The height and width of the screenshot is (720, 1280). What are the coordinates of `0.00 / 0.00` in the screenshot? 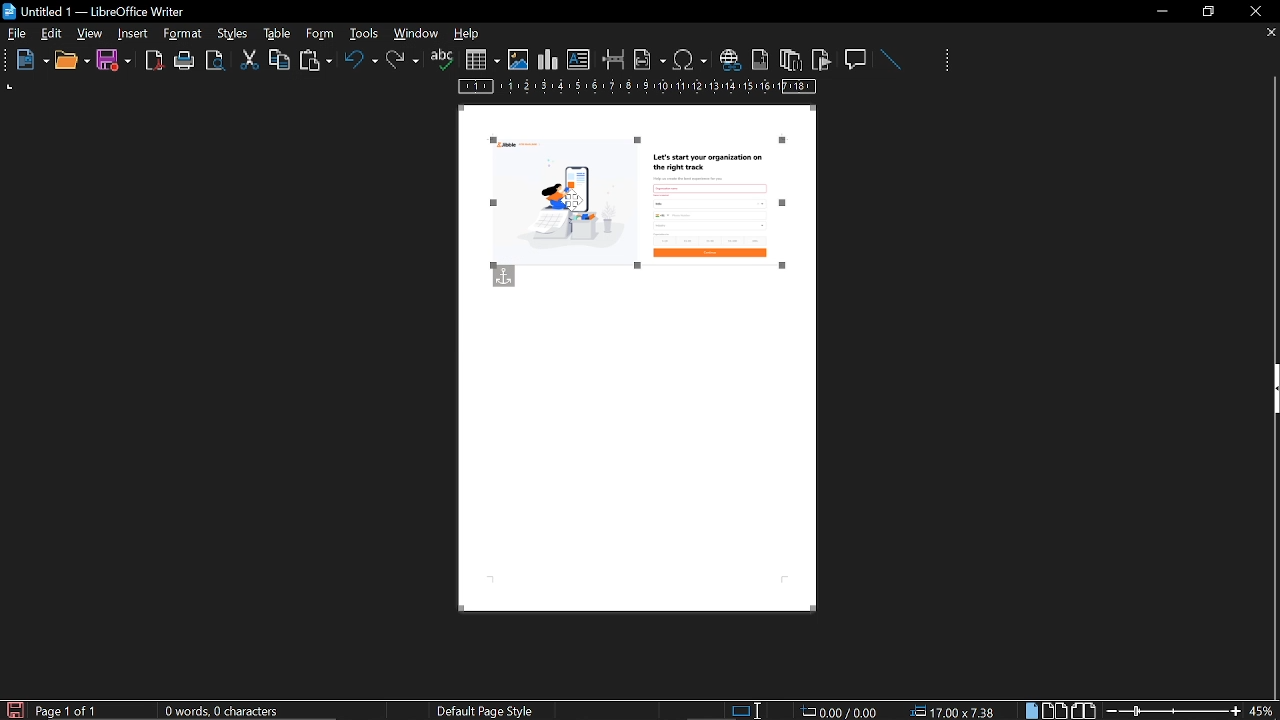 It's located at (842, 710).